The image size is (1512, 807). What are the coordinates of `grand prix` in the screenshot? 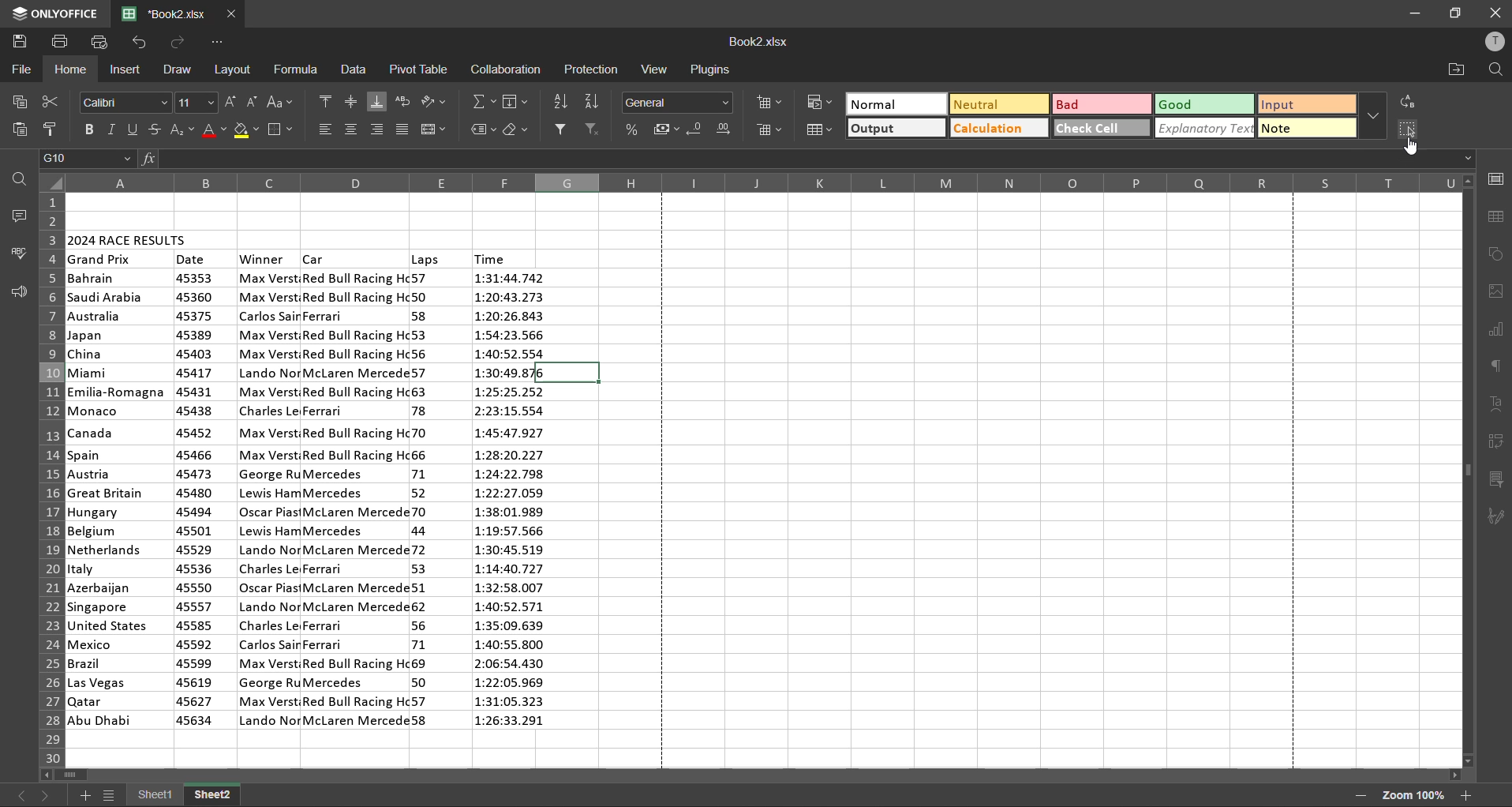 It's located at (100, 259).